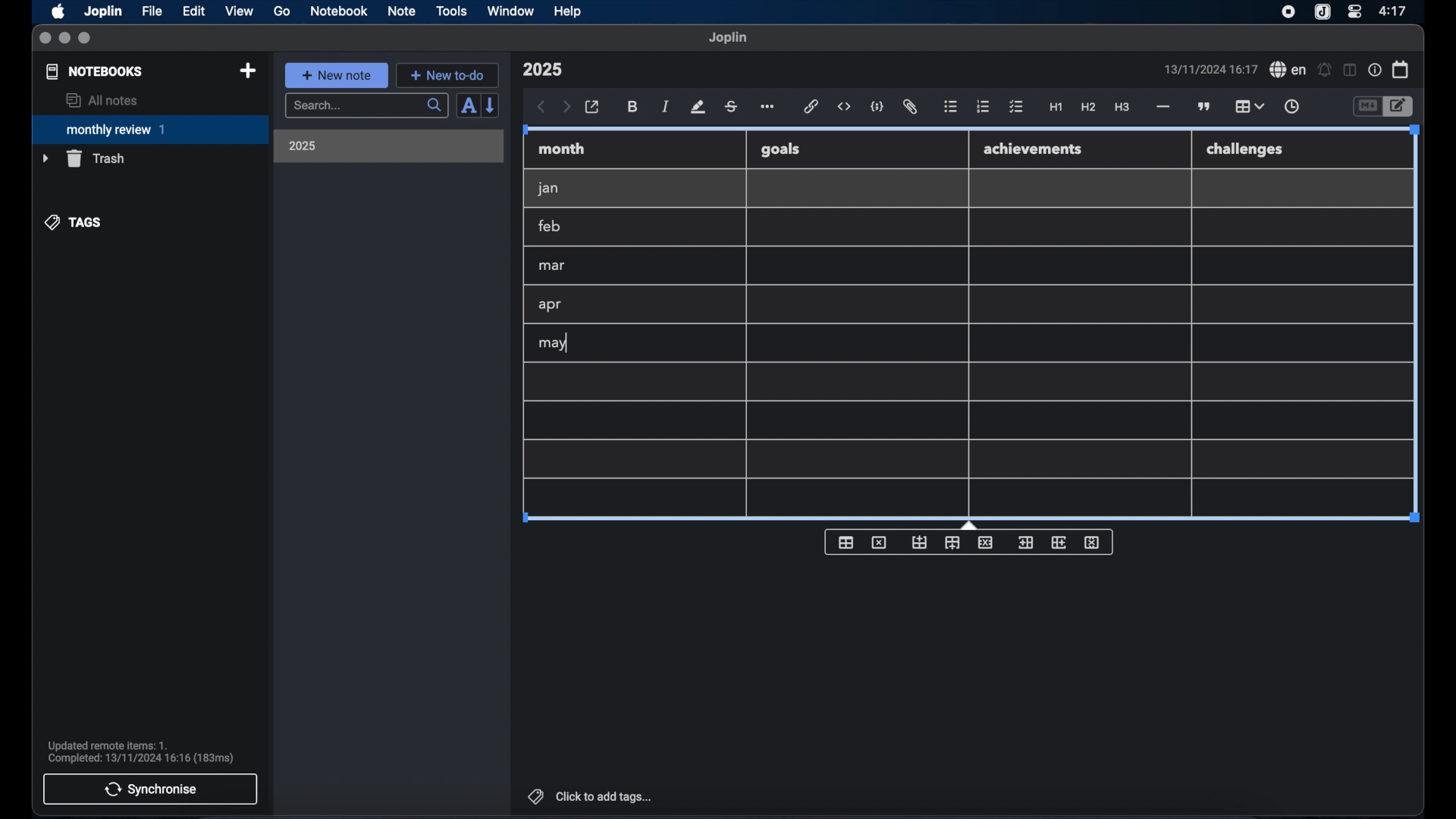 Image resolution: width=1456 pixels, height=819 pixels. I want to click on note properties, so click(1375, 71).